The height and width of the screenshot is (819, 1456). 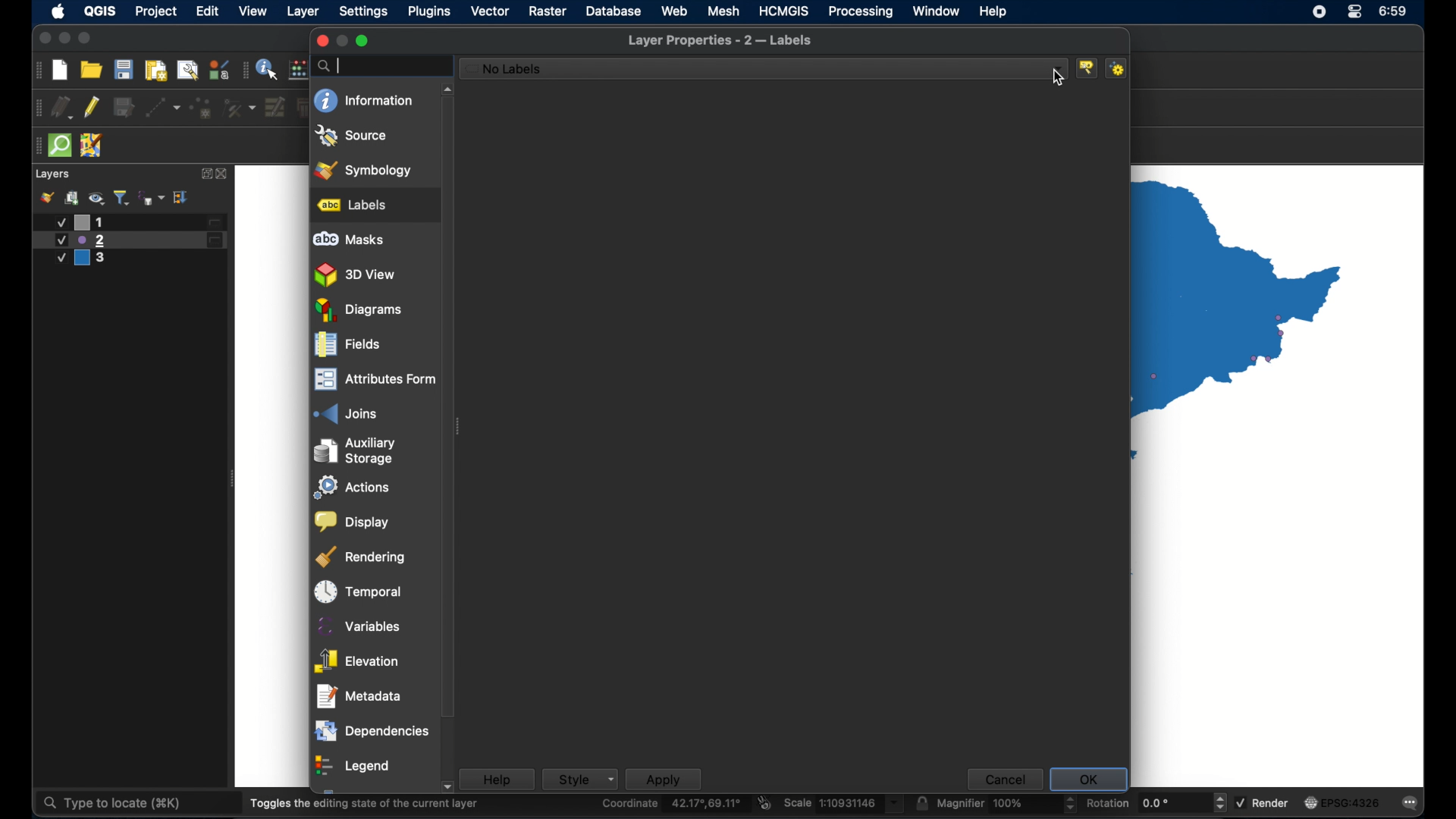 I want to click on render, so click(x=1262, y=801).